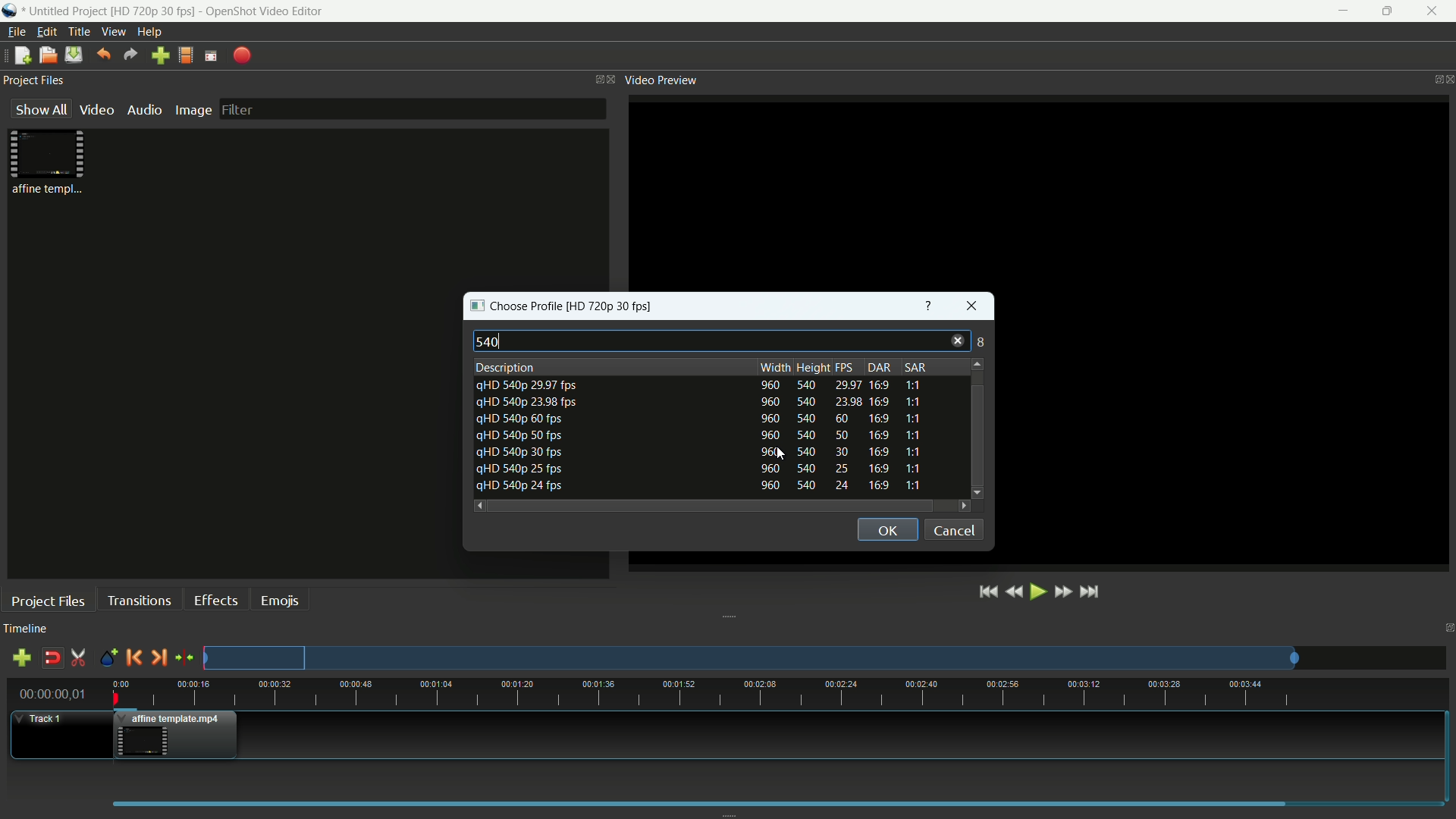 Image resolution: width=1456 pixels, height=819 pixels. What do you see at coordinates (65, 11) in the screenshot?
I see `project name` at bounding box center [65, 11].